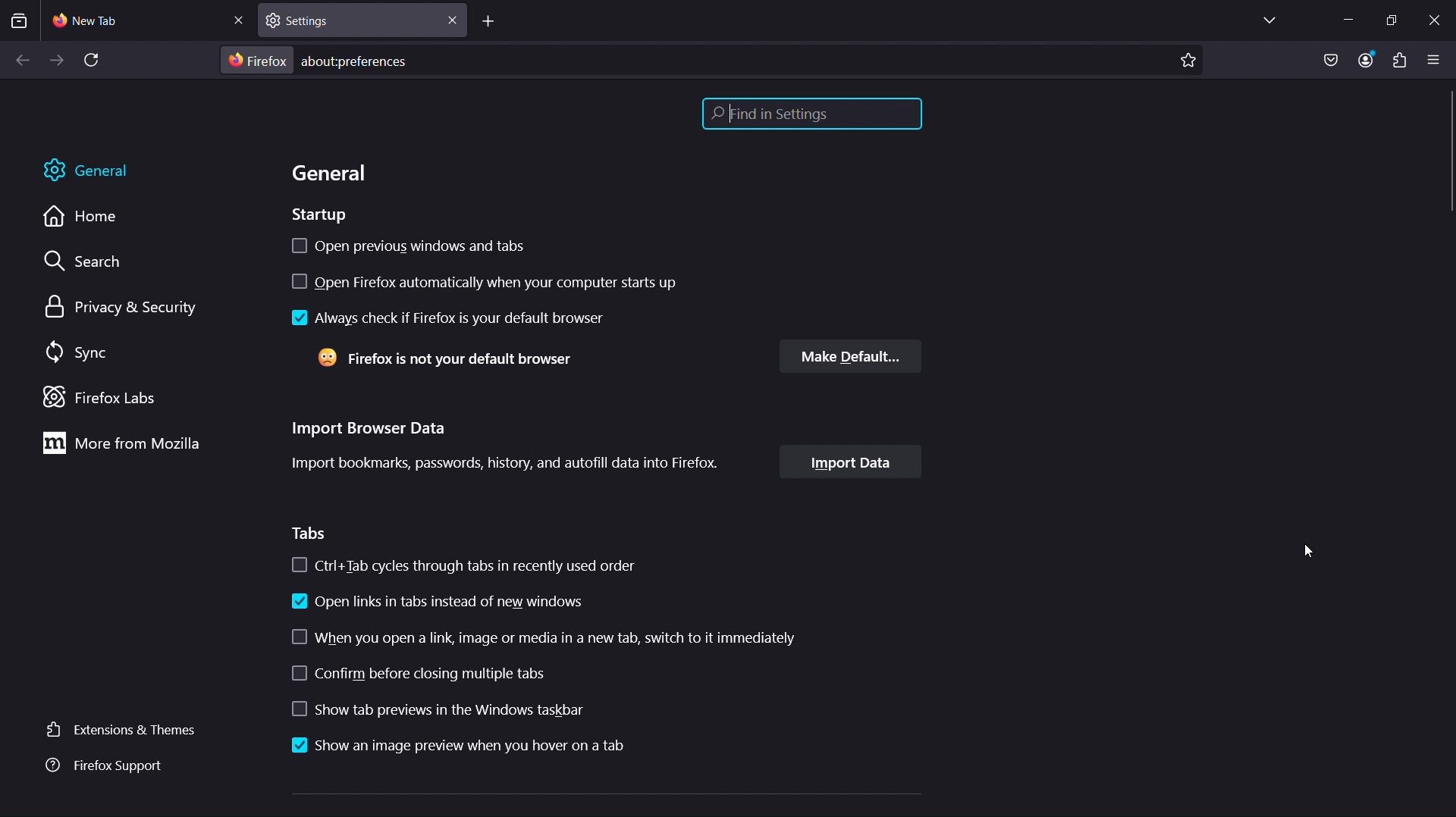  I want to click on Make Default, so click(852, 356).